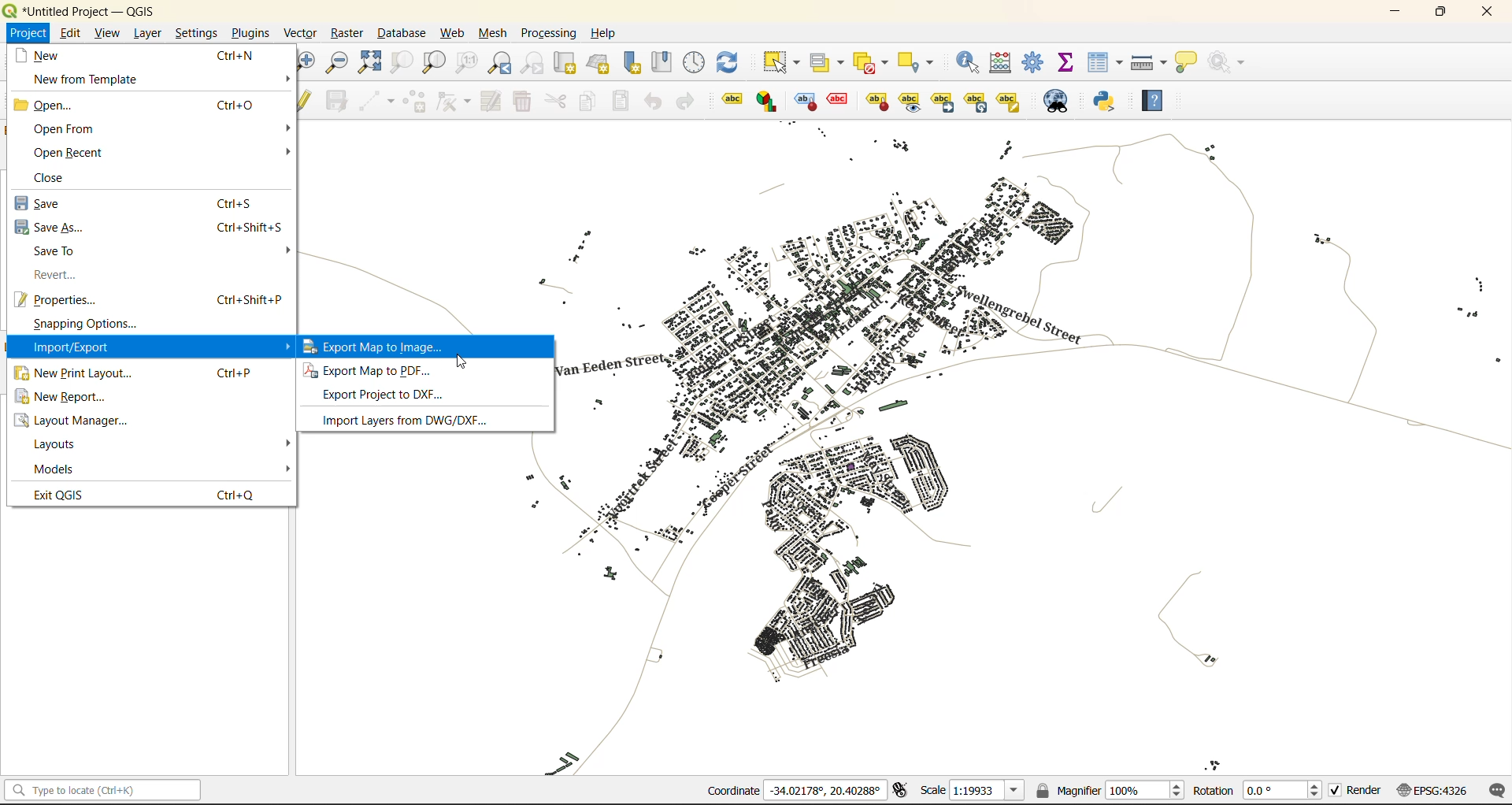 Image resolution: width=1512 pixels, height=805 pixels. I want to click on calculator, so click(1003, 63).